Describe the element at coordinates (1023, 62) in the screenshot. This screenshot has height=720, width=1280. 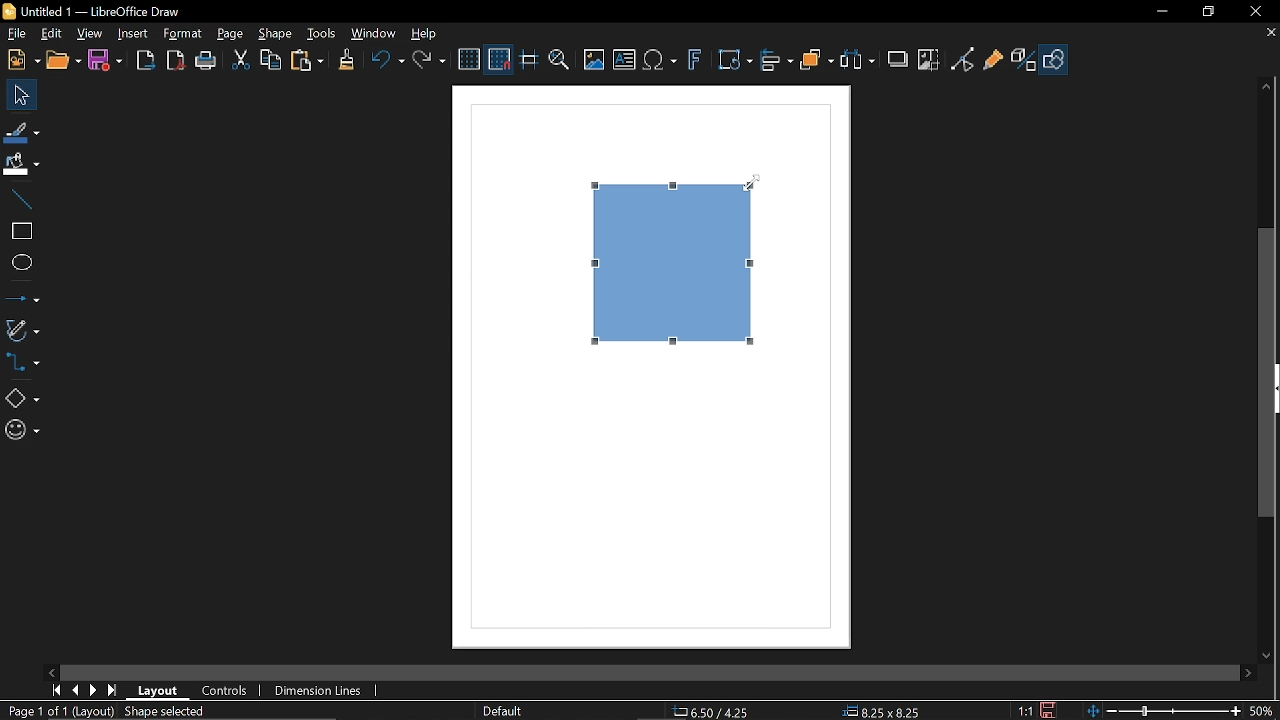
I see `Toggle extrusion` at that location.